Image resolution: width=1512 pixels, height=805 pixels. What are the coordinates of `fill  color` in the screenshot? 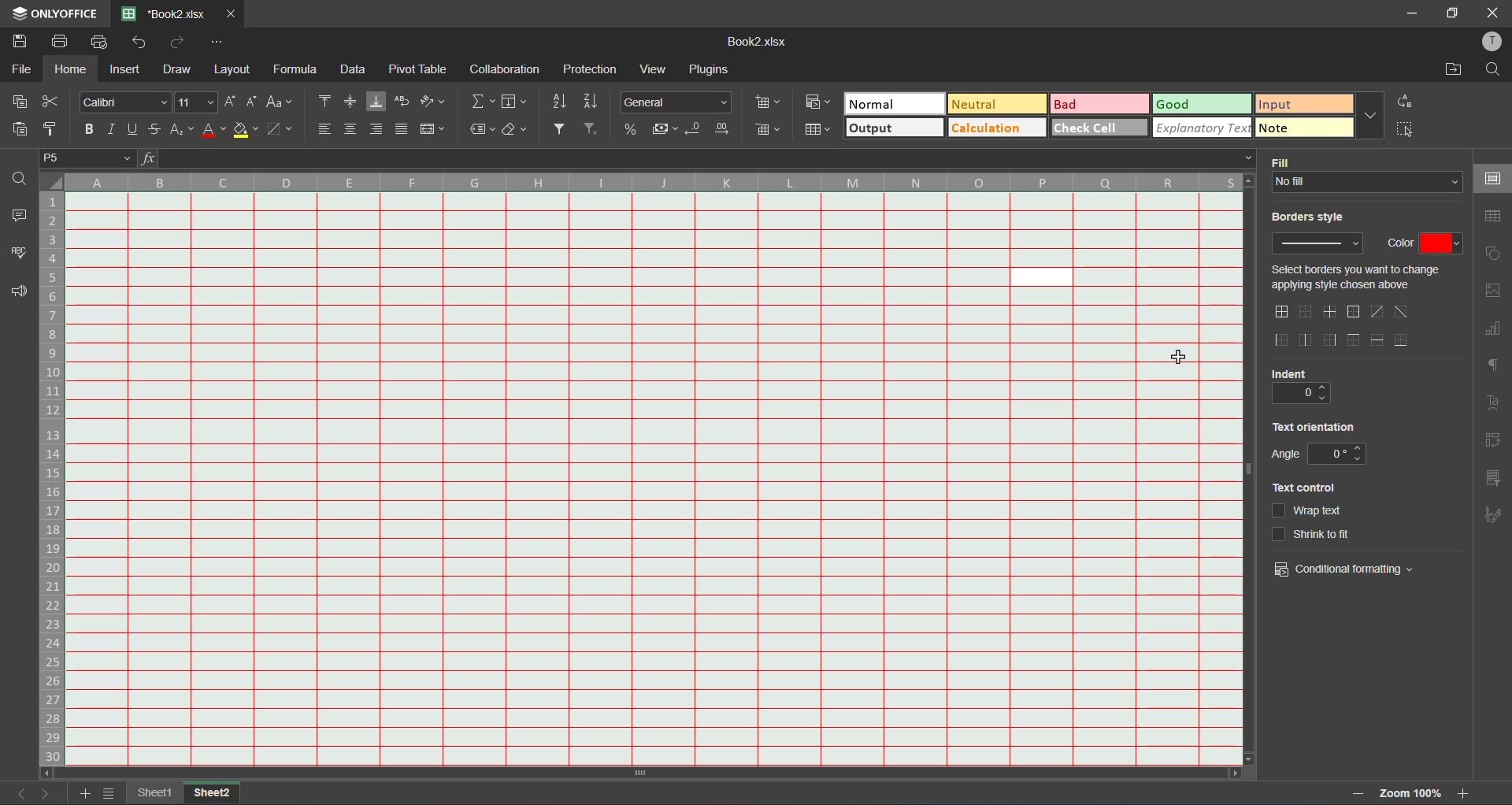 It's located at (247, 132).